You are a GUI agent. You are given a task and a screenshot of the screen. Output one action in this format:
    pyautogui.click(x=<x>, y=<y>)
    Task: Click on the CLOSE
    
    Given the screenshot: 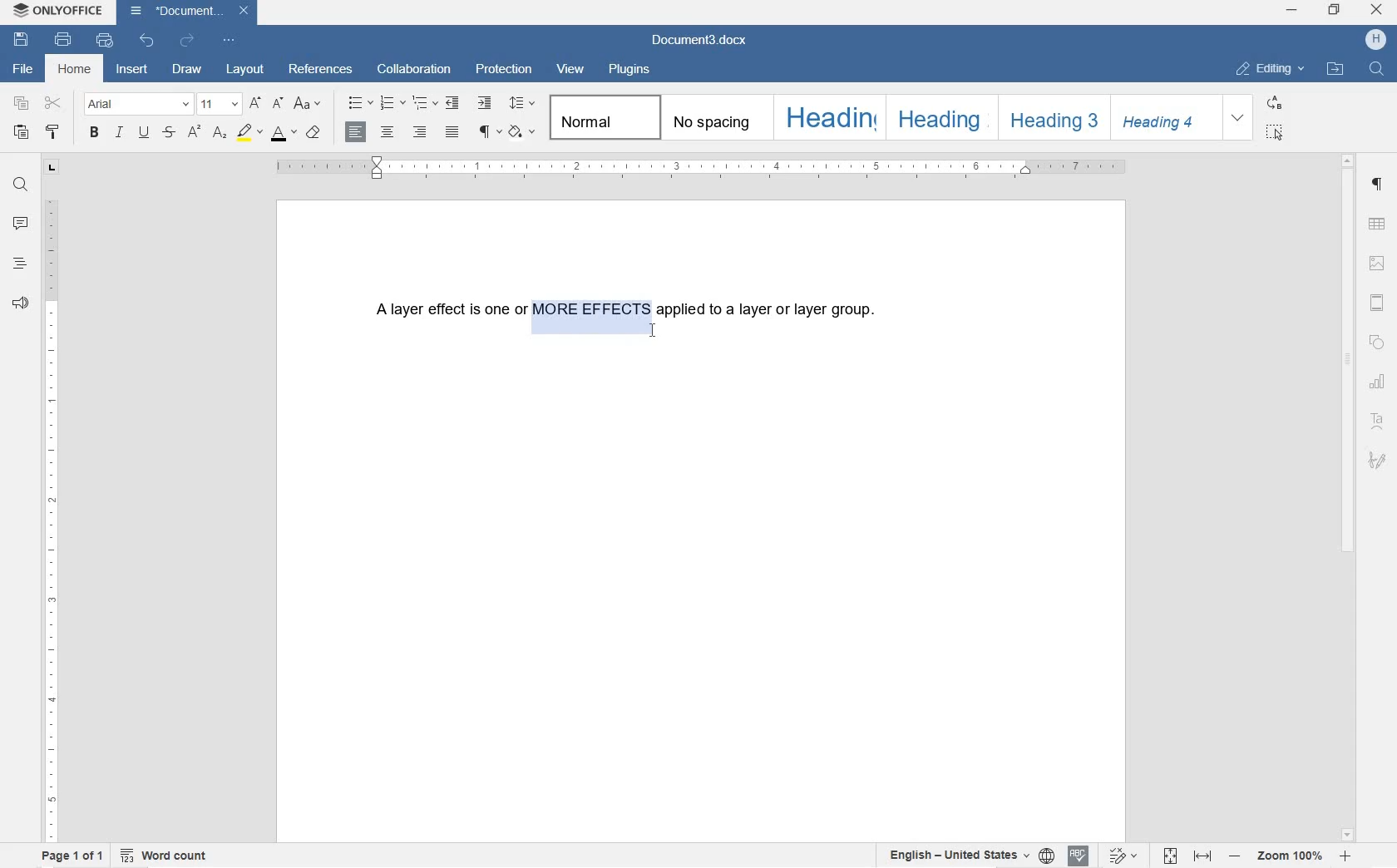 What is the action you would take?
    pyautogui.click(x=1377, y=12)
    